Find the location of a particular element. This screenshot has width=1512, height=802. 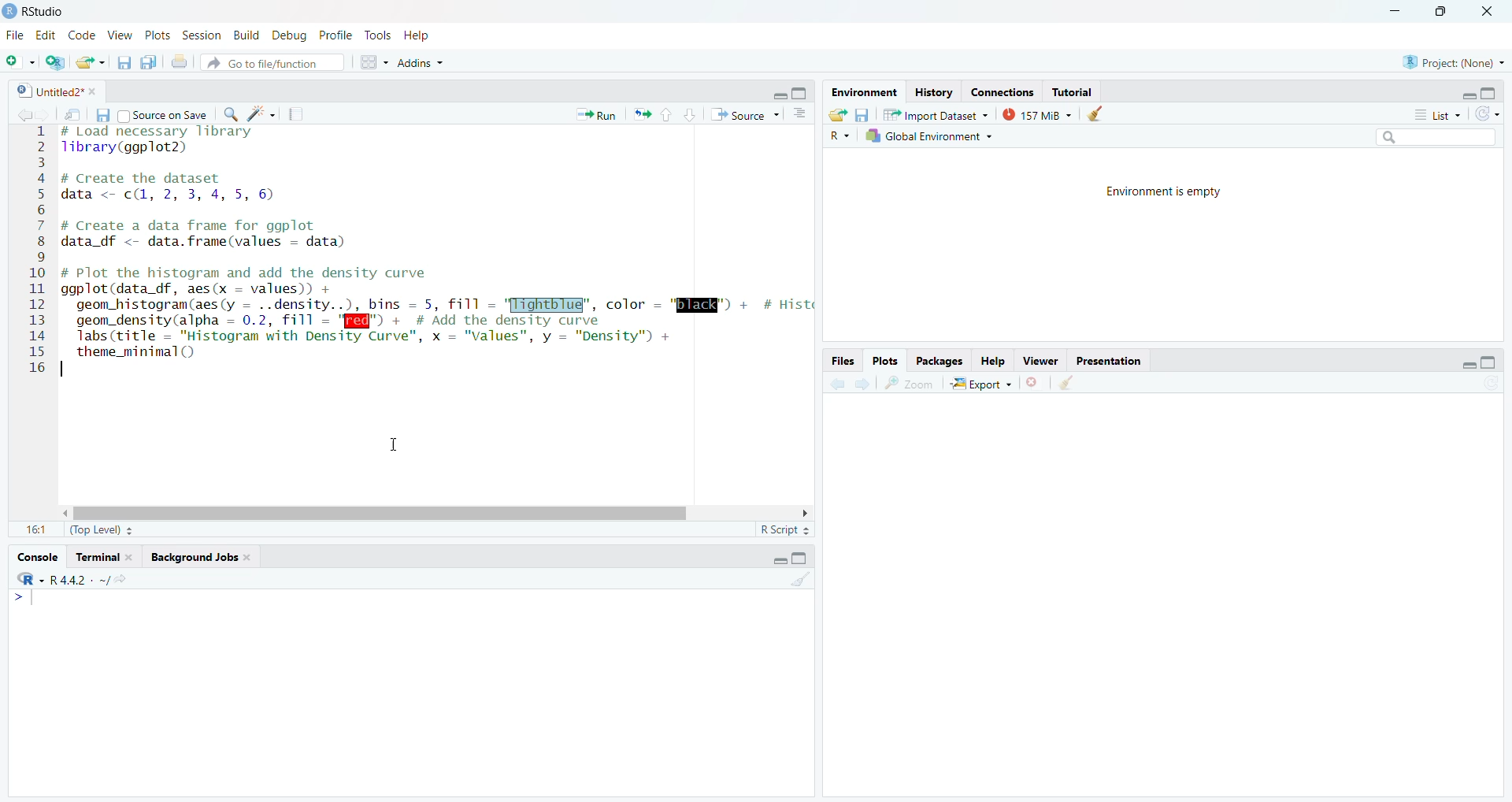

Build is located at coordinates (245, 34).